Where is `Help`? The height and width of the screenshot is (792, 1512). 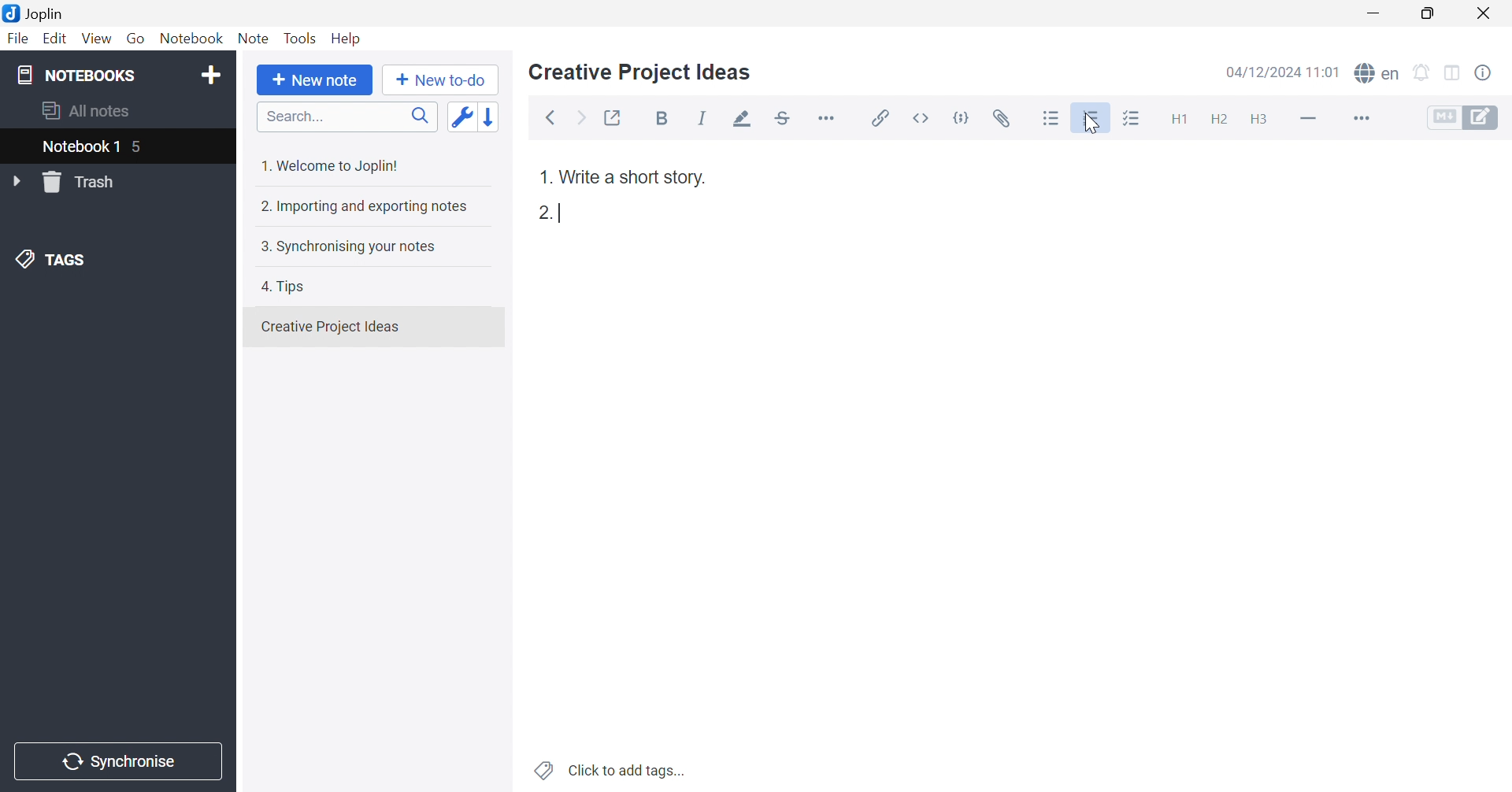
Help is located at coordinates (347, 38).